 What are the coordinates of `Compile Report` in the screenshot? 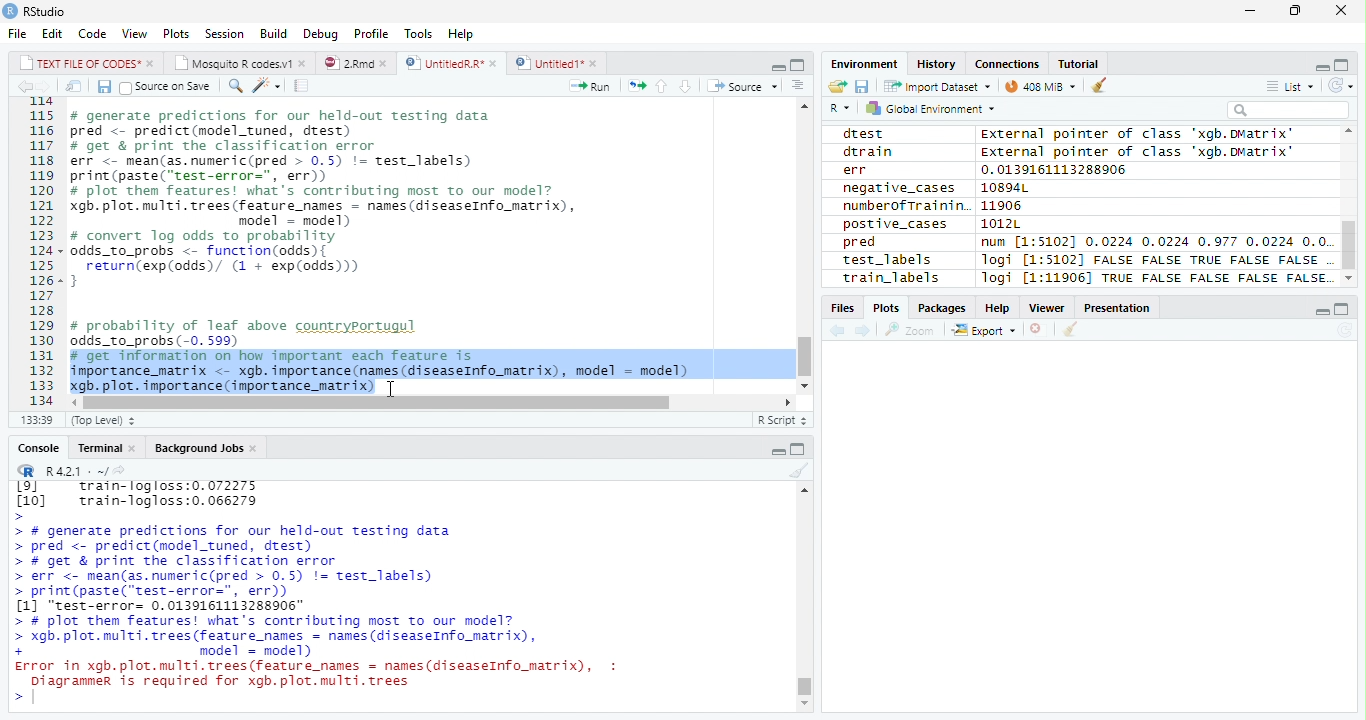 It's located at (301, 85).